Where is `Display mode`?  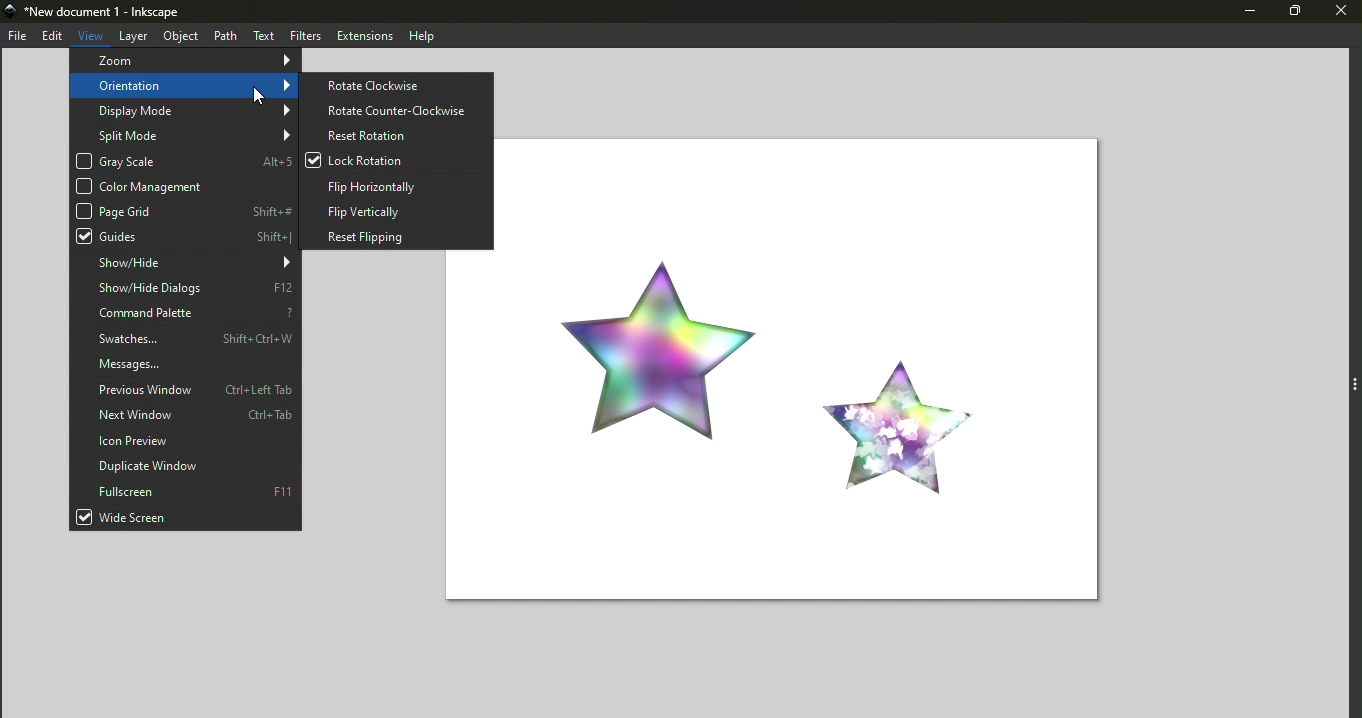 Display mode is located at coordinates (185, 111).